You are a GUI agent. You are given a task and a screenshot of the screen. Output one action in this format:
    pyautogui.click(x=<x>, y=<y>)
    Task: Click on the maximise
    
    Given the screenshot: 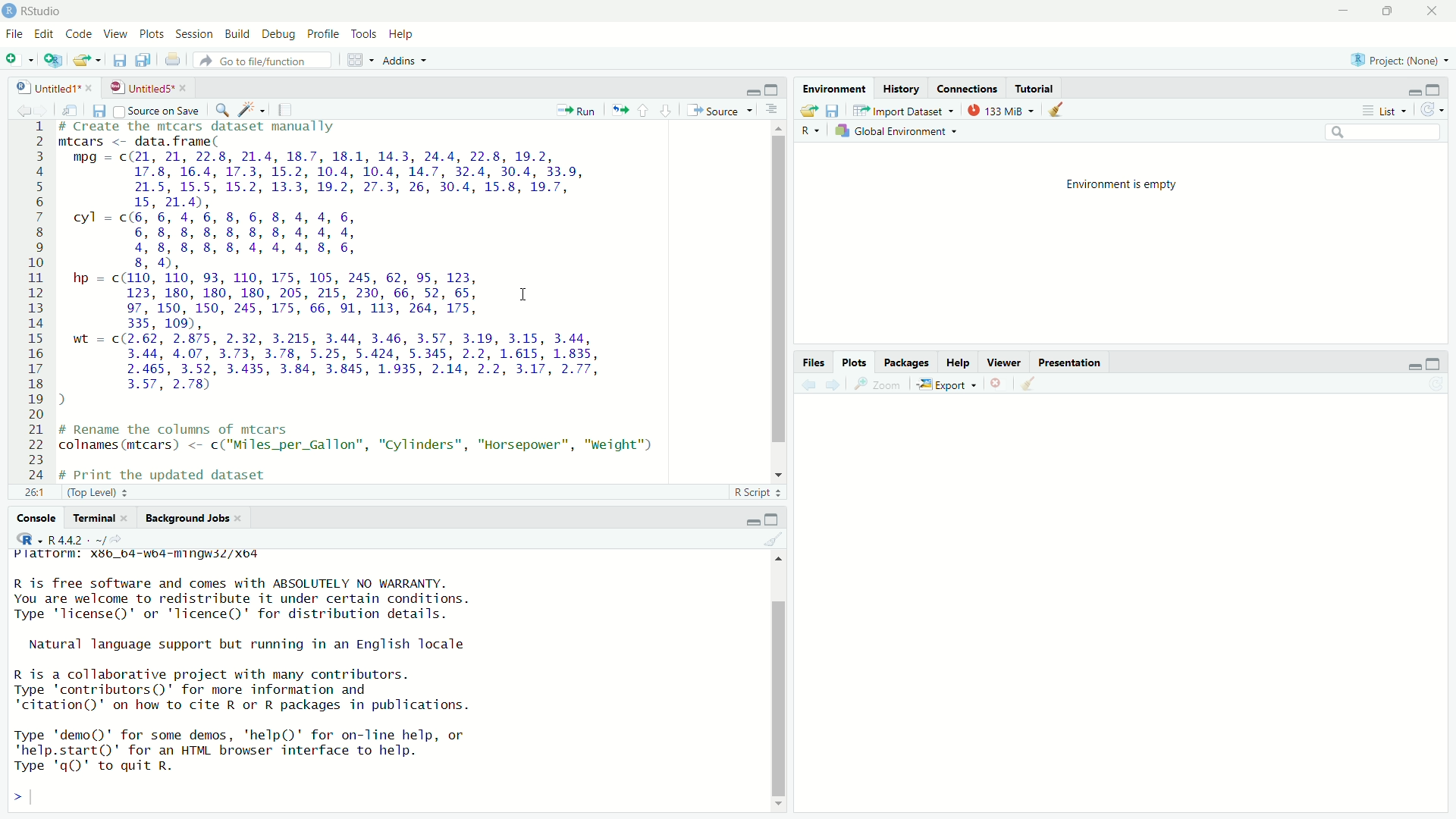 What is the action you would take?
    pyautogui.click(x=1434, y=89)
    